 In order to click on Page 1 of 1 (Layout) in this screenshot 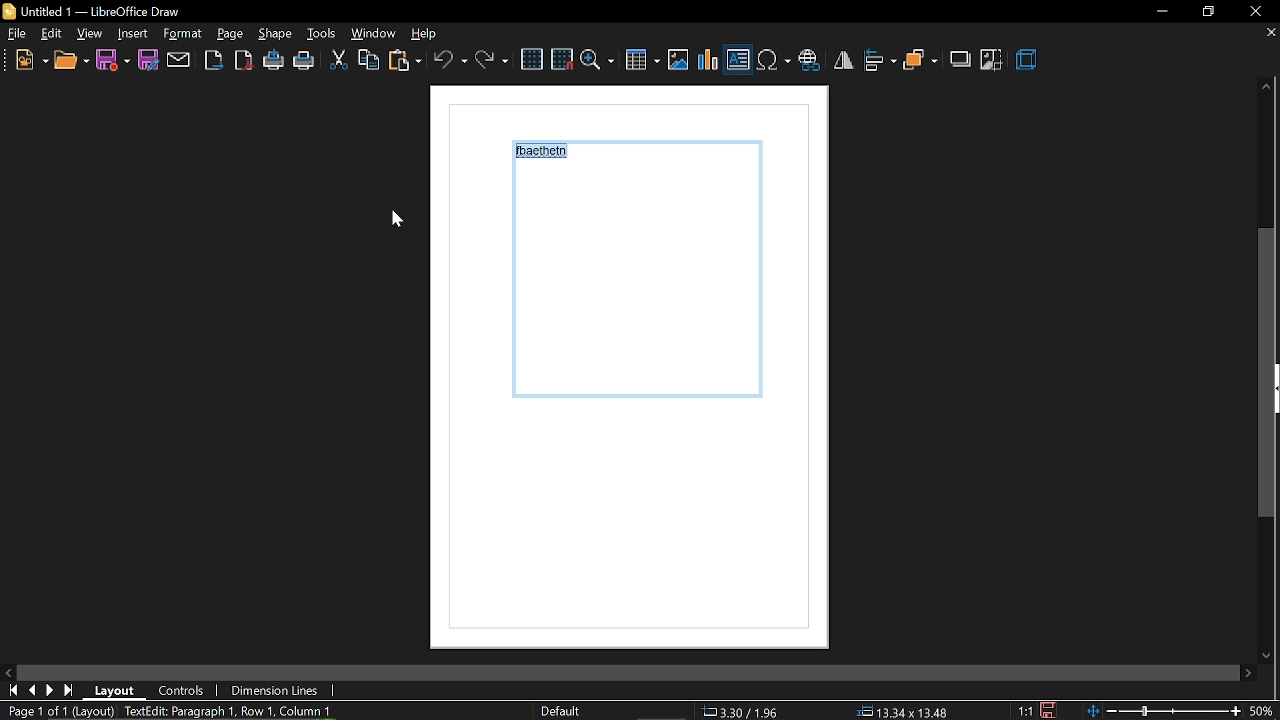, I will do `click(57, 711)`.